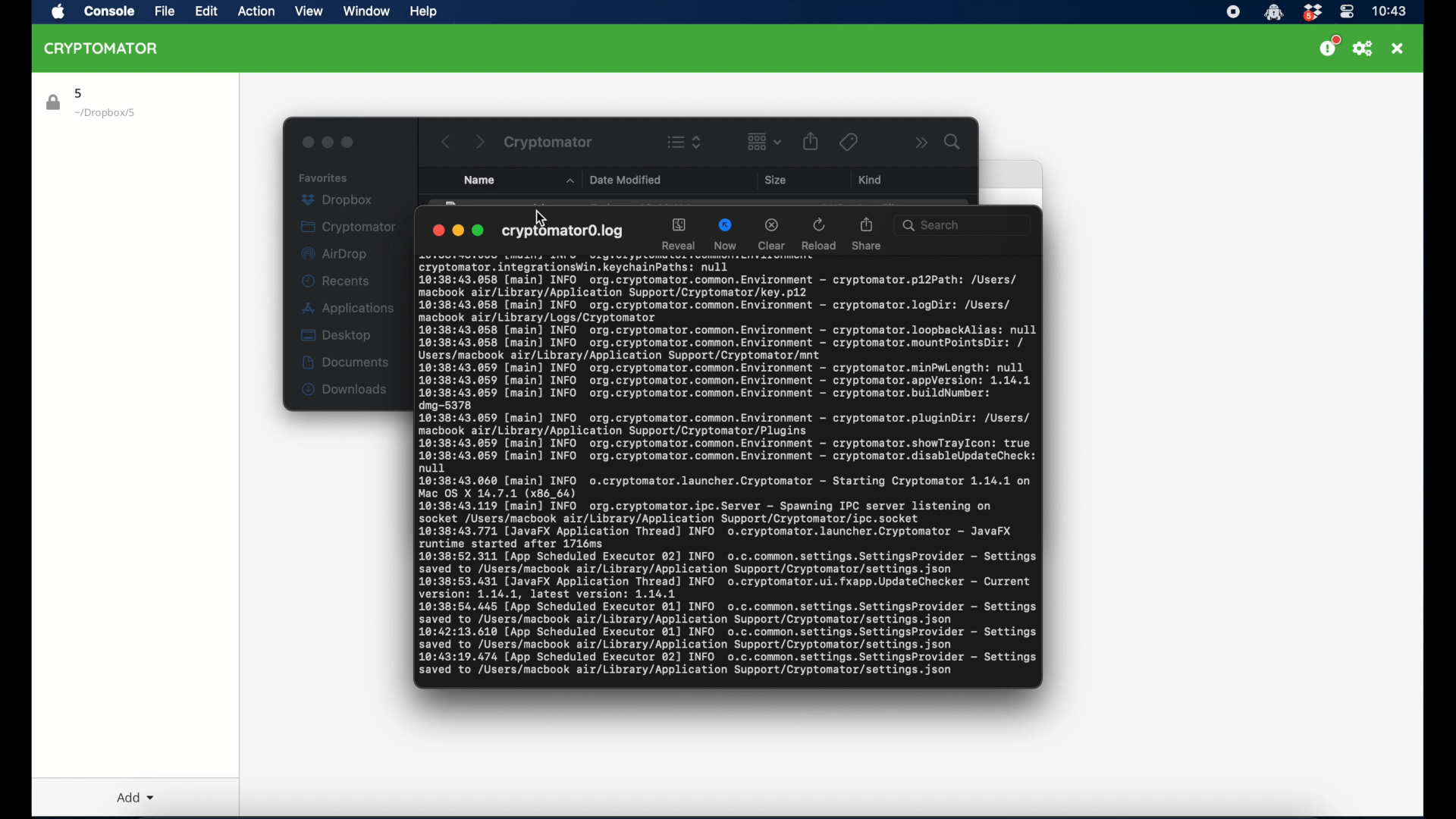 The image size is (1456, 819). I want to click on screen recorder icon, so click(1232, 12).